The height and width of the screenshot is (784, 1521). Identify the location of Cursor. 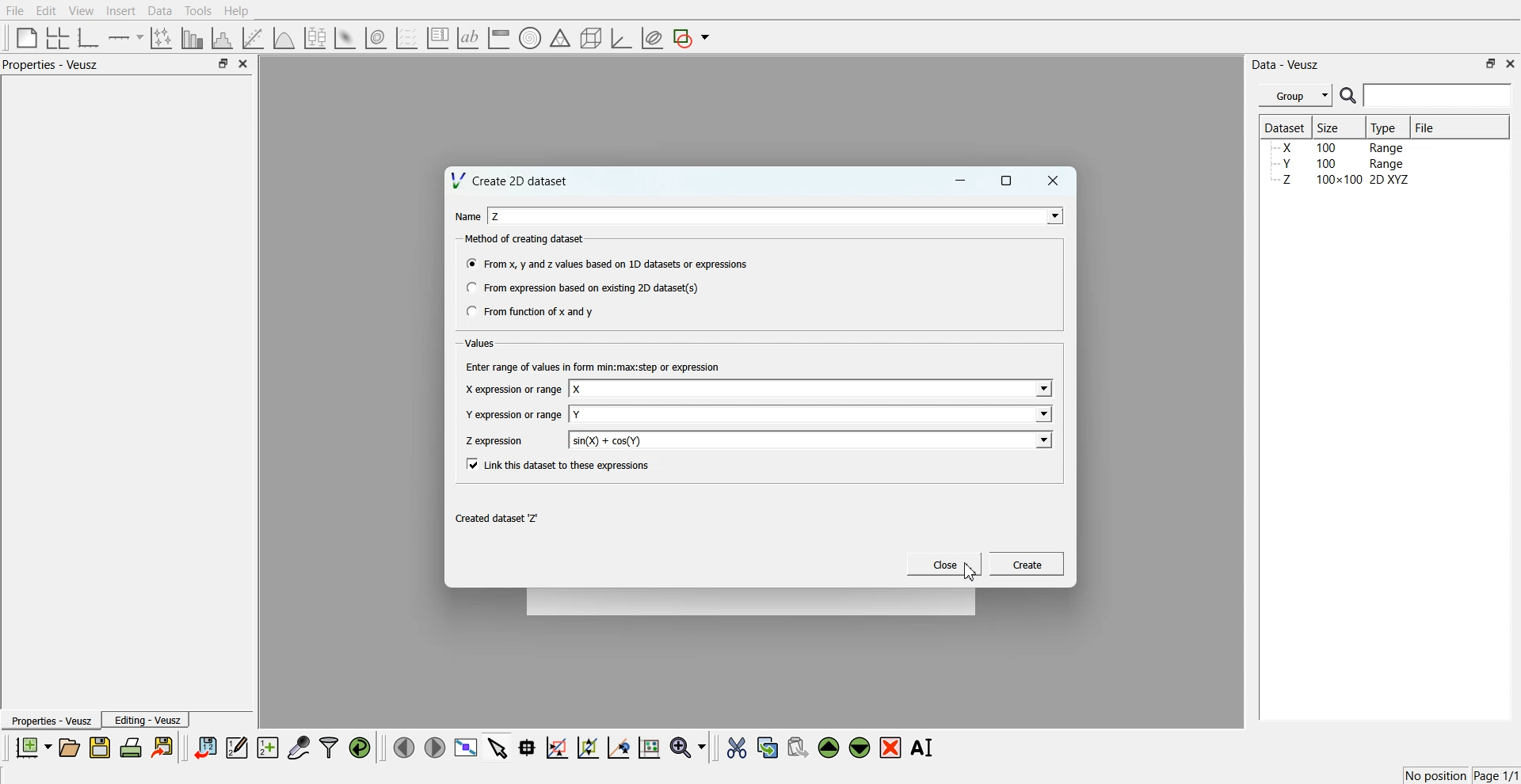
(970, 571).